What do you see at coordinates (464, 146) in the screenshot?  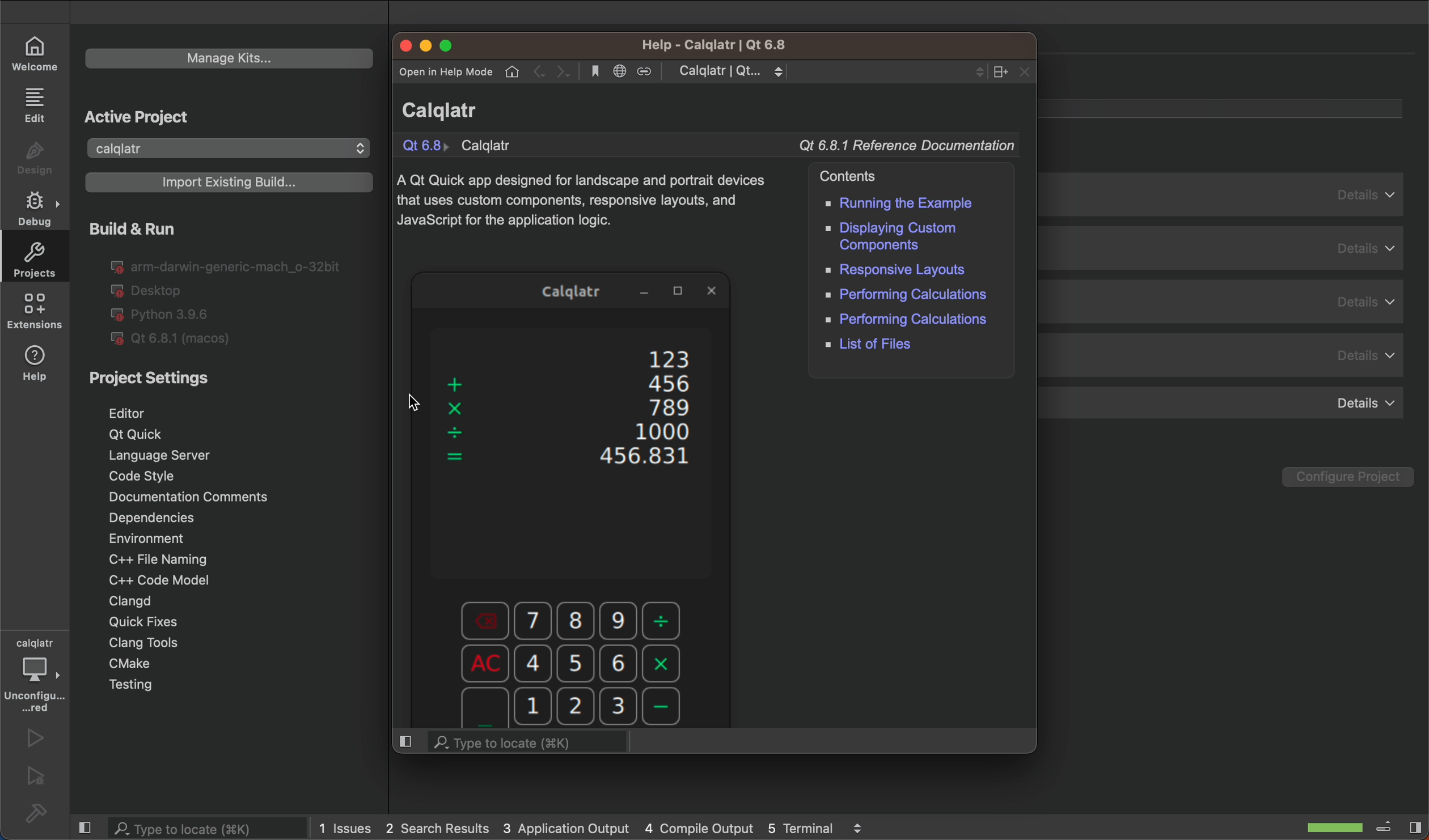 I see `compiler` at bounding box center [464, 146].